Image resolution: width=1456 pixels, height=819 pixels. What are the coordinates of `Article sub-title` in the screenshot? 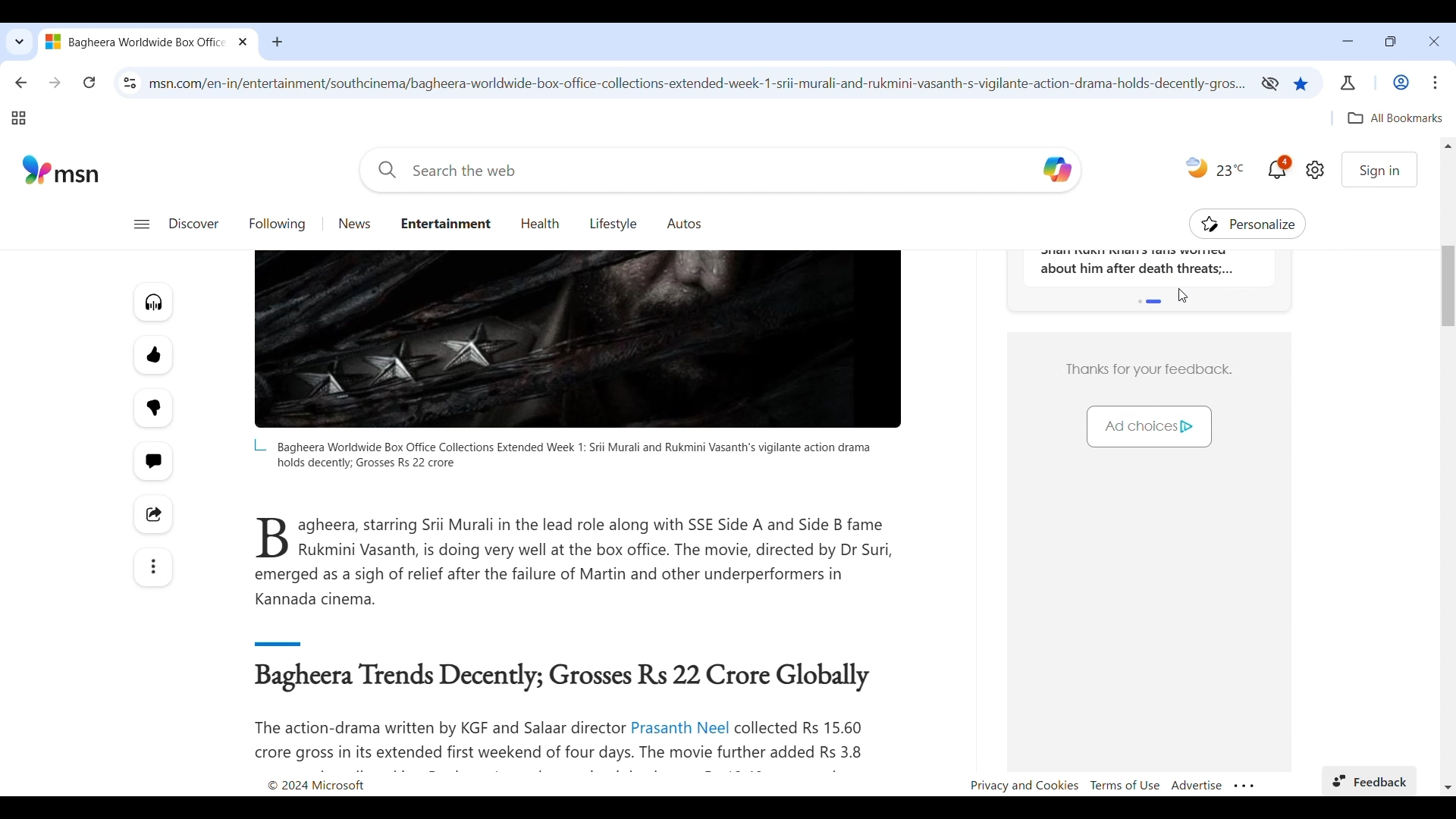 It's located at (566, 678).